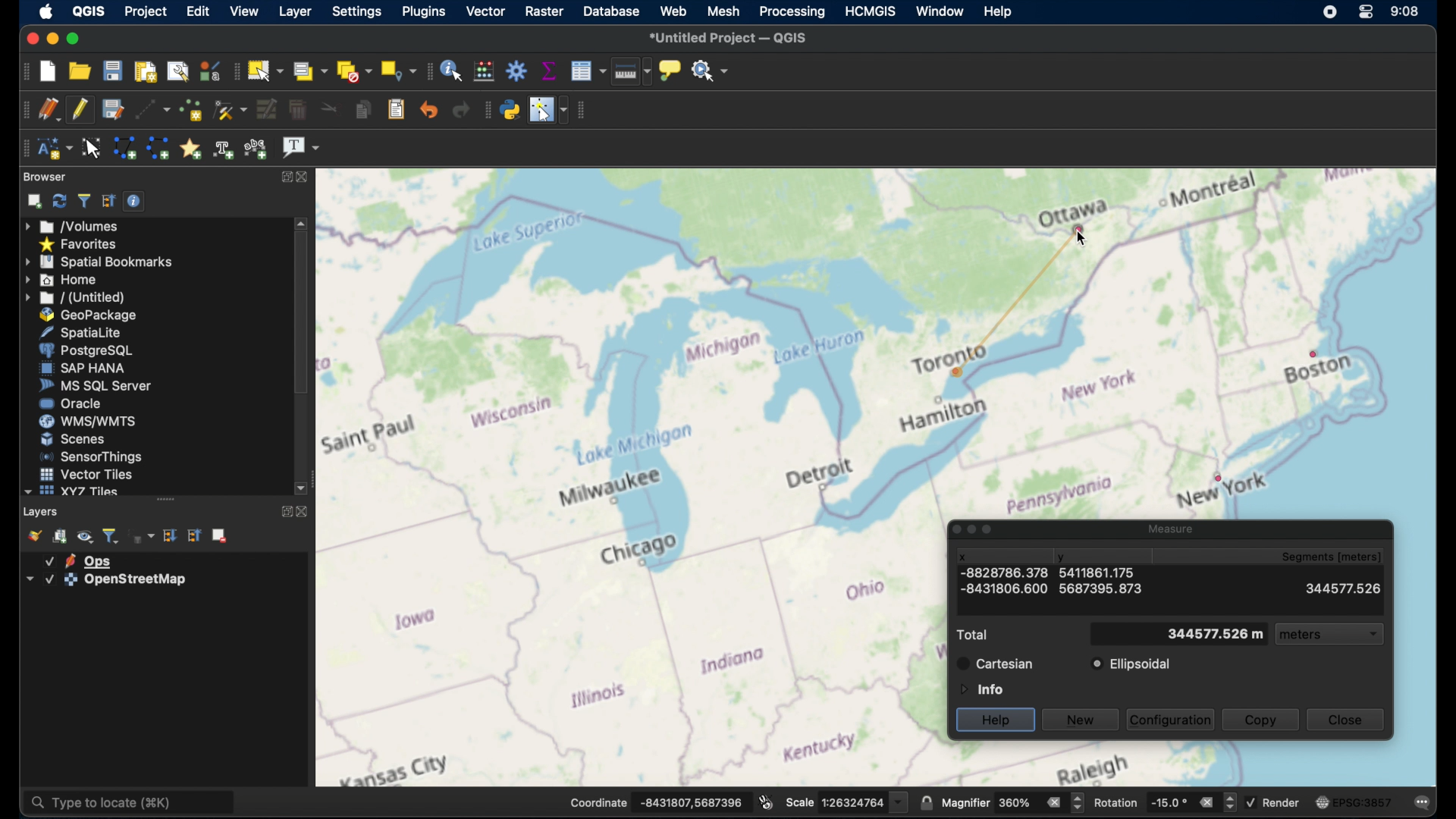 The width and height of the screenshot is (1456, 819). Describe the element at coordinates (303, 489) in the screenshot. I see `scroll down arrow` at that location.